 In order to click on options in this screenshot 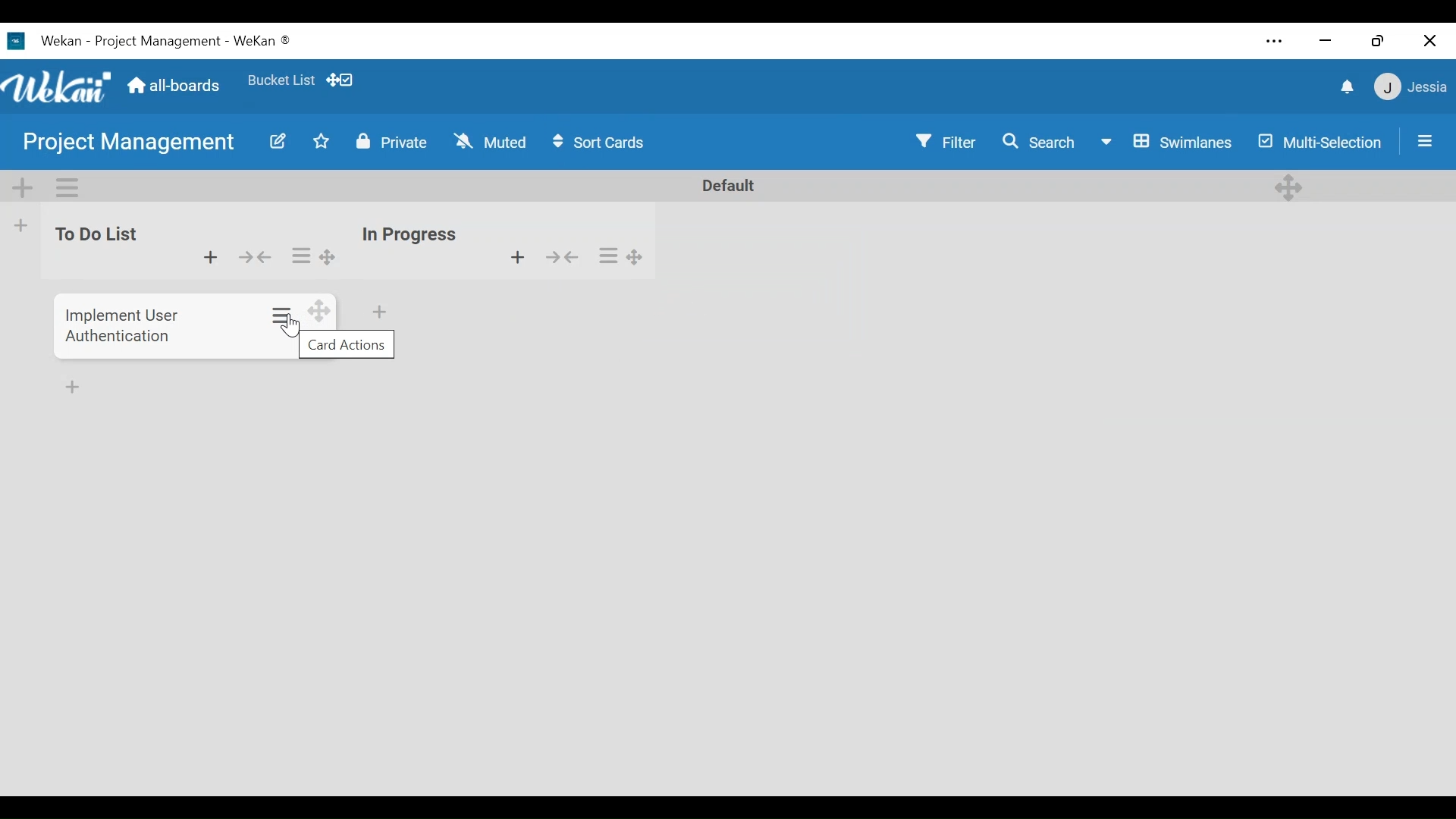, I will do `click(311, 253)`.